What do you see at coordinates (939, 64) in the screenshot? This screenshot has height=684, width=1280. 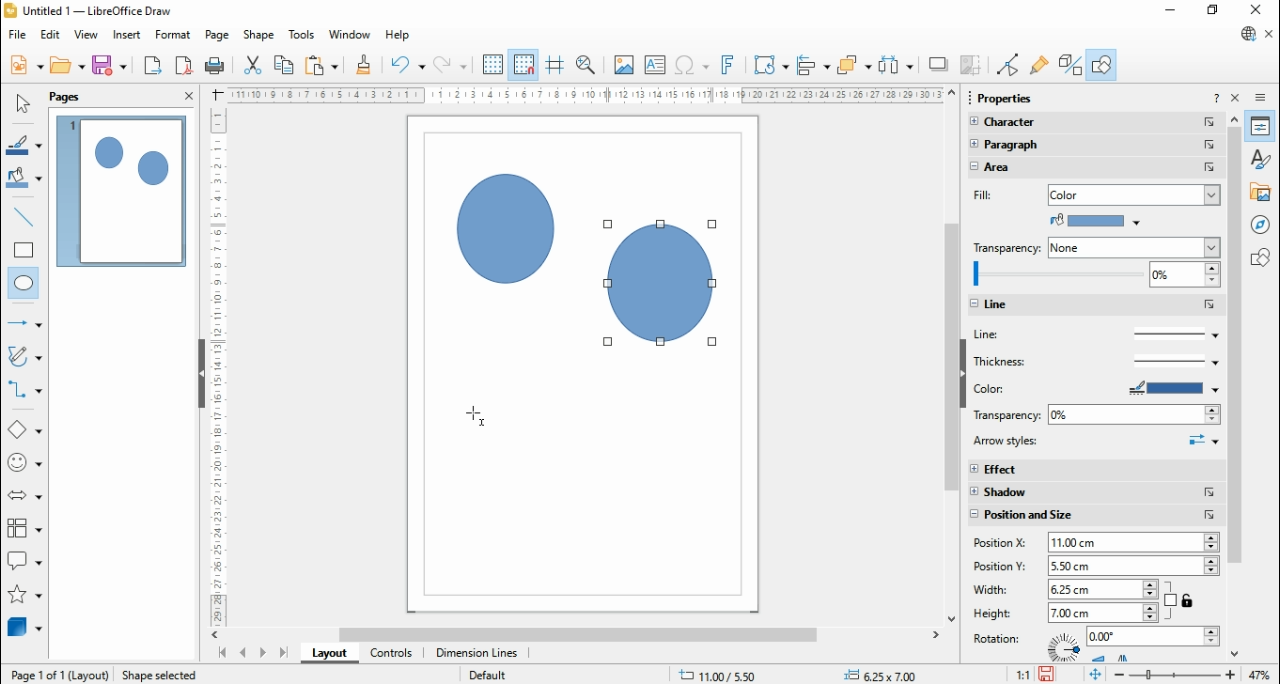 I see `shadow` at bounding box center [939, 64].